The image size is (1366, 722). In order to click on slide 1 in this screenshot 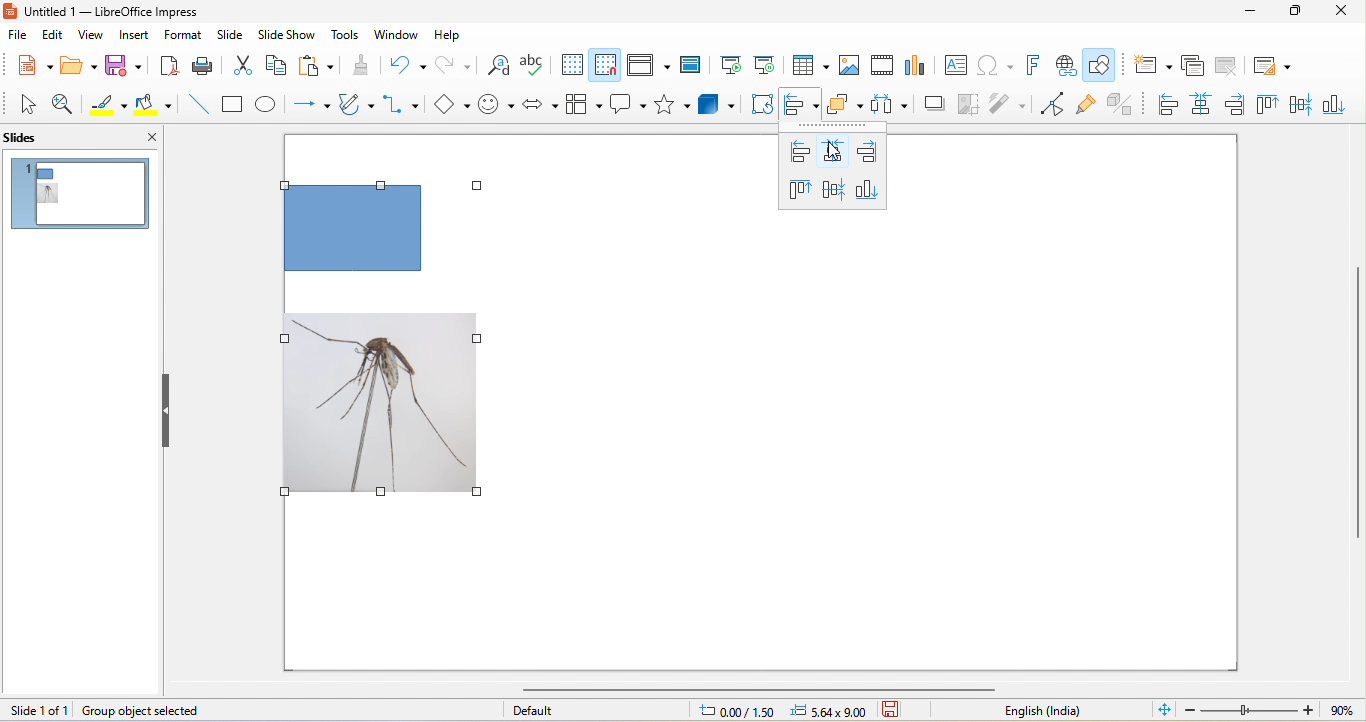, I will do `click(82, 195)`.